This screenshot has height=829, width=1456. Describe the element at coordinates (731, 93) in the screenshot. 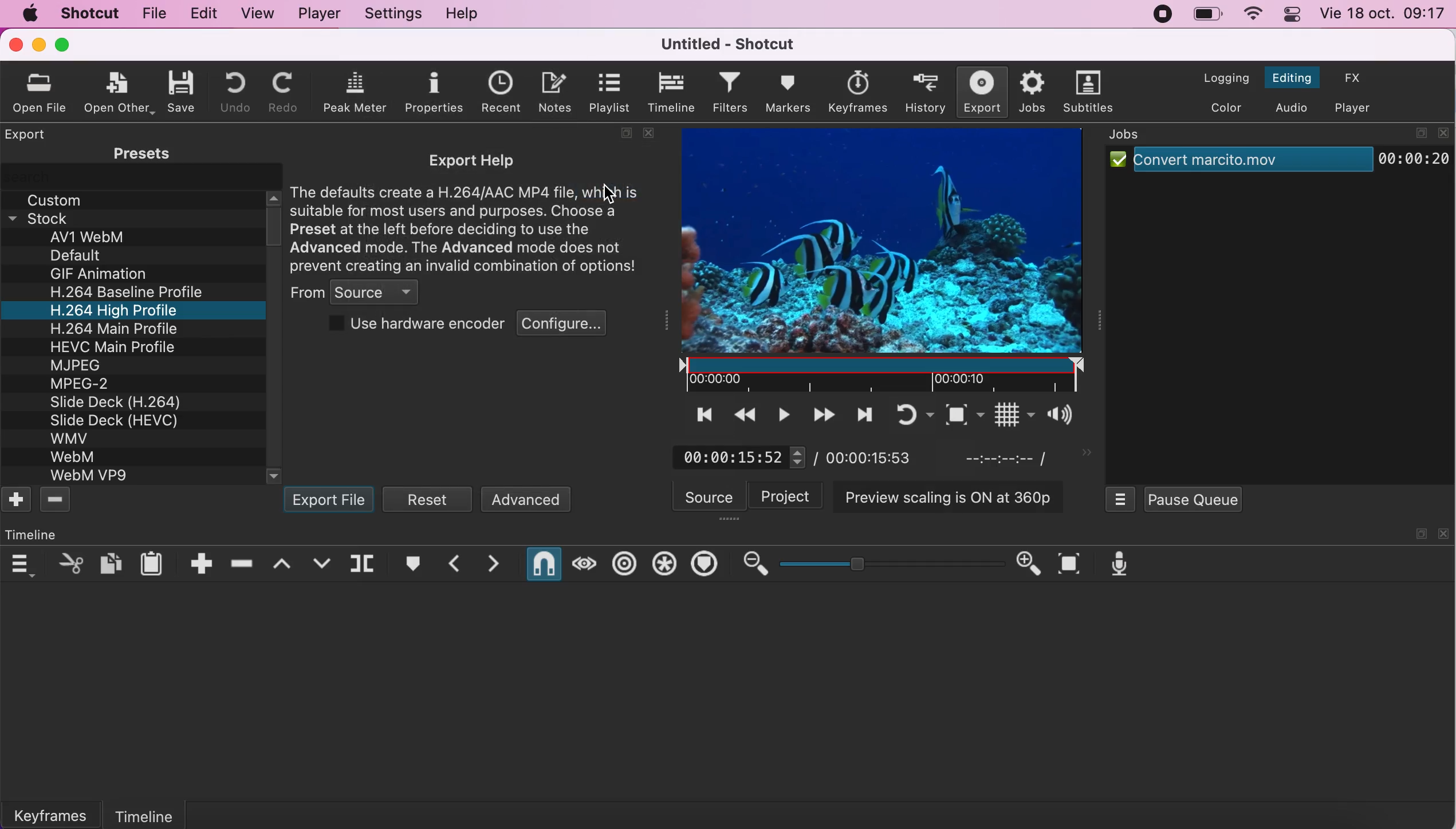

I see `filters` at that location.